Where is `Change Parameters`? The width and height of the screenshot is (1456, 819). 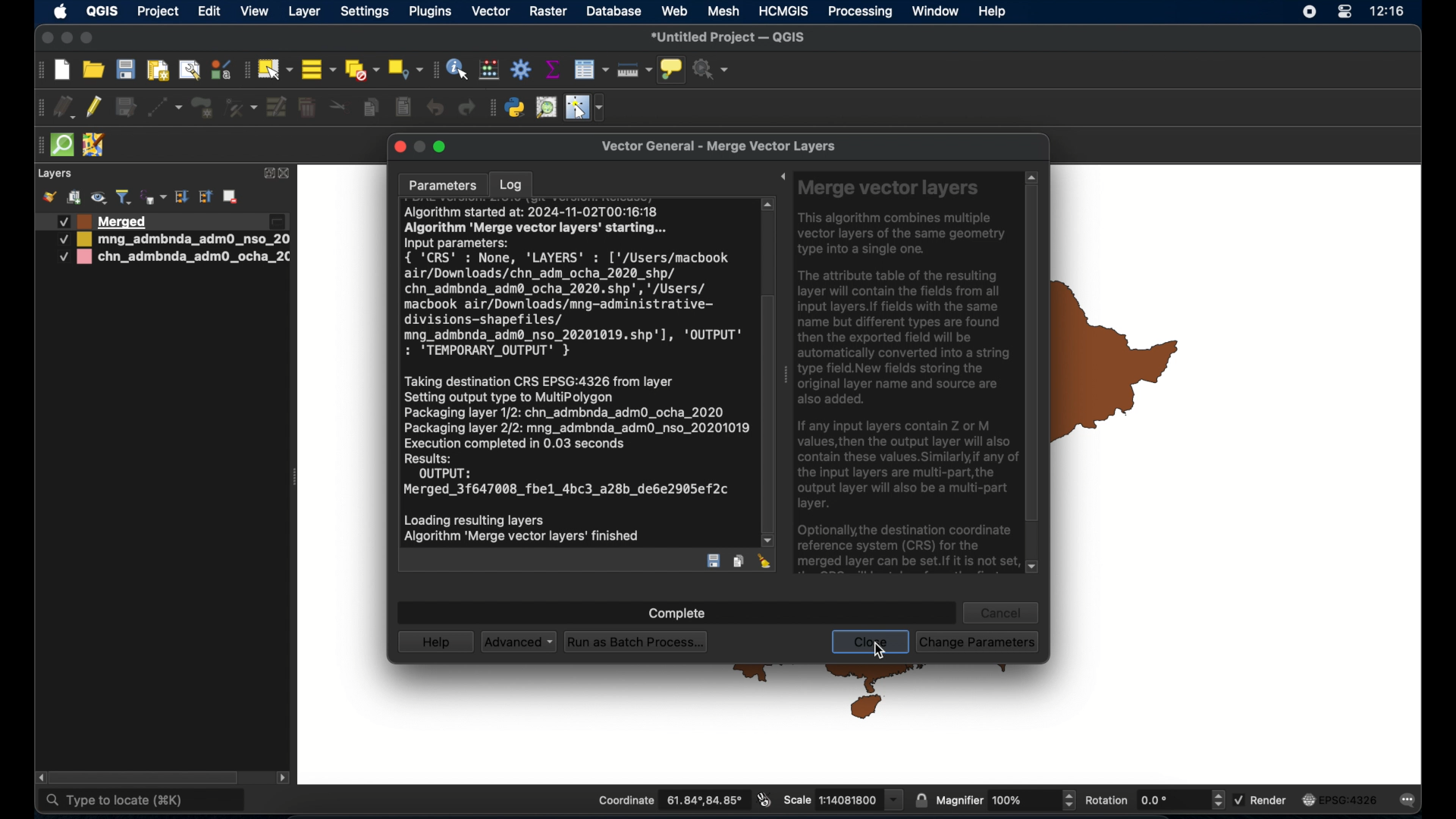 Change Parameters is located at coordinates (979, 640).